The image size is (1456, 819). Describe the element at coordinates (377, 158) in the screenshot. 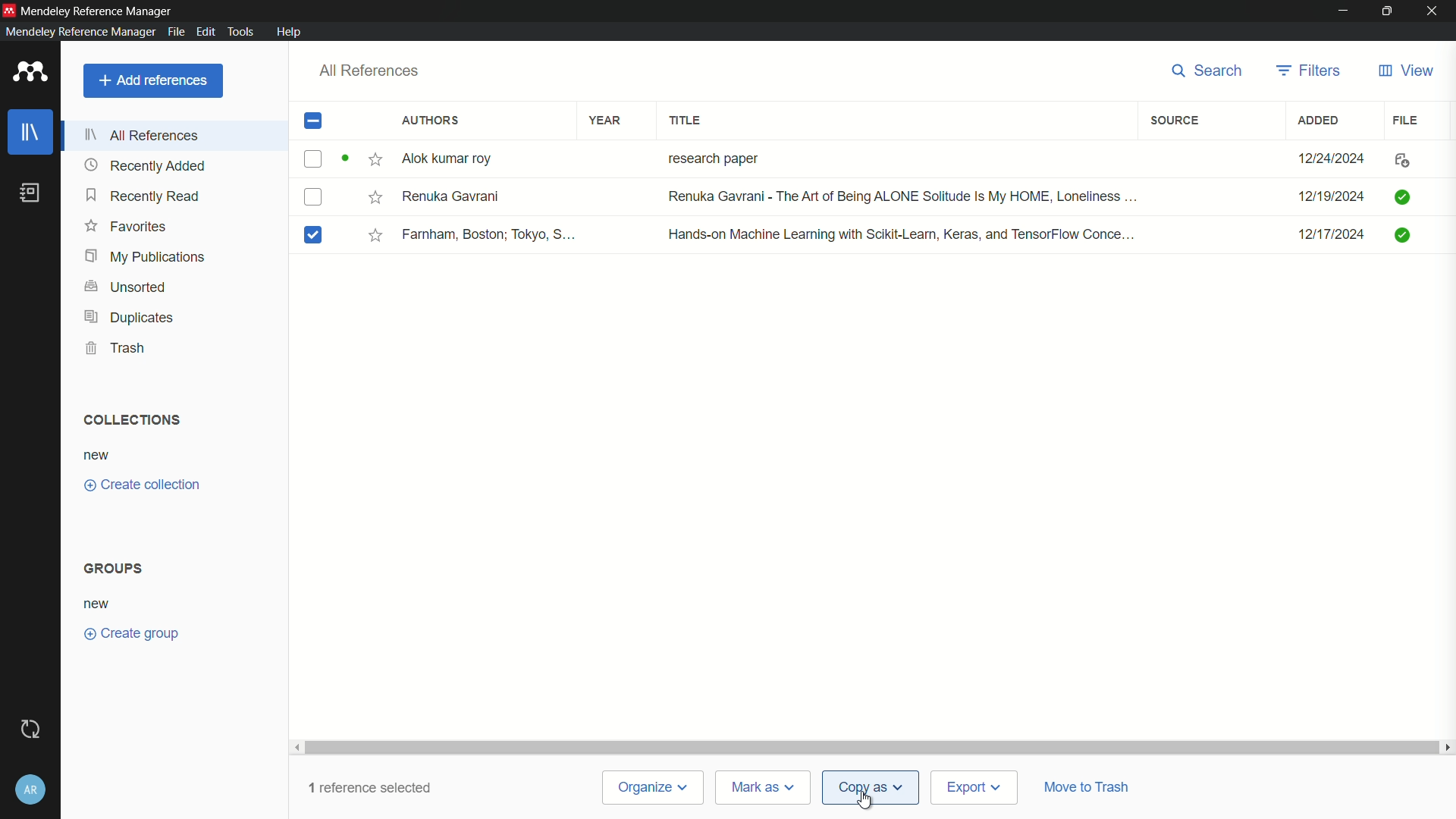

I see `Mark it star` at that location.